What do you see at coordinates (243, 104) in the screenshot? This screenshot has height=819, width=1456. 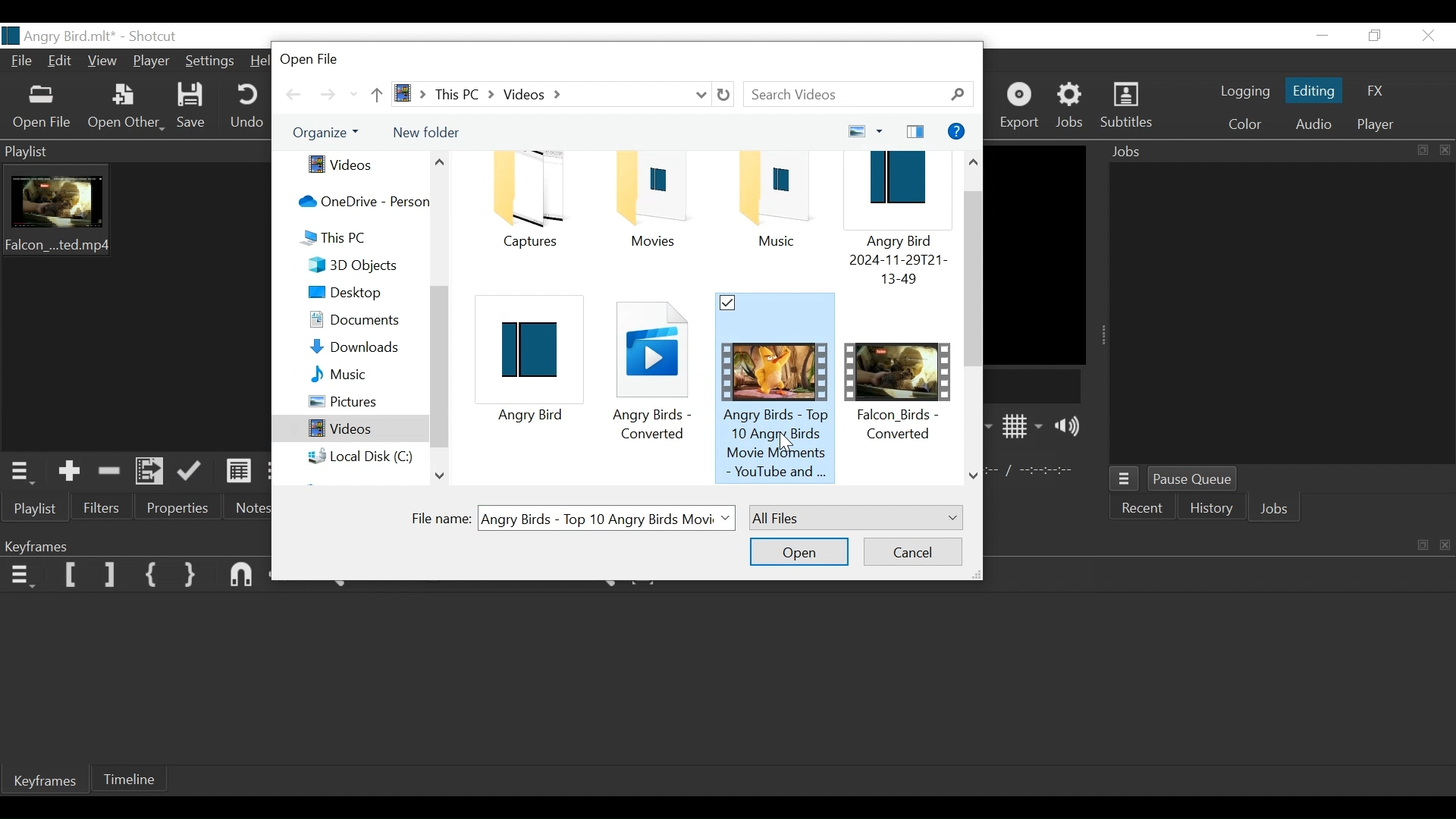 I see `Undo` at bounding box center [243, 104].